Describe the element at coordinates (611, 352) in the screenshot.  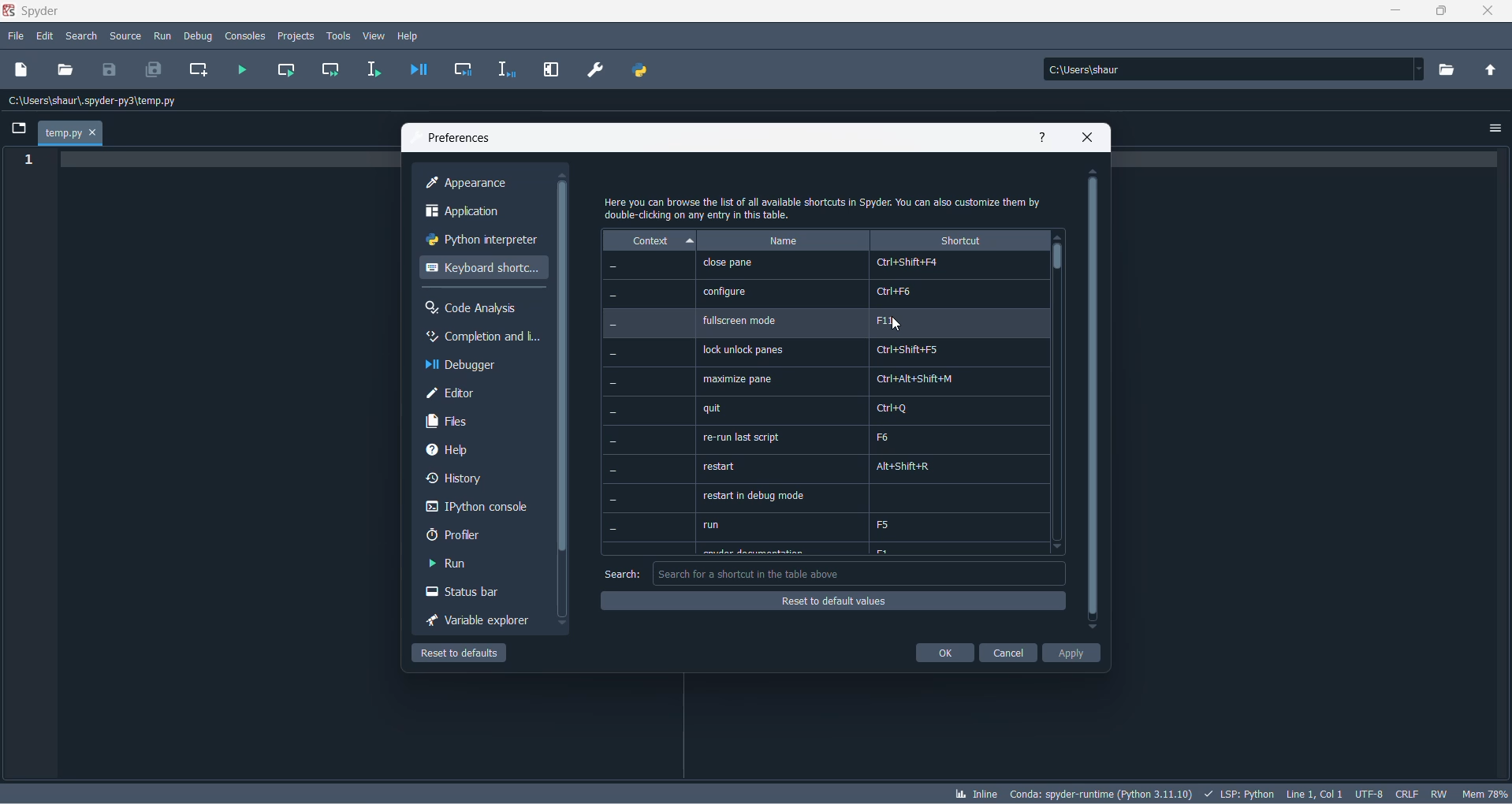
I see `-` at that location.